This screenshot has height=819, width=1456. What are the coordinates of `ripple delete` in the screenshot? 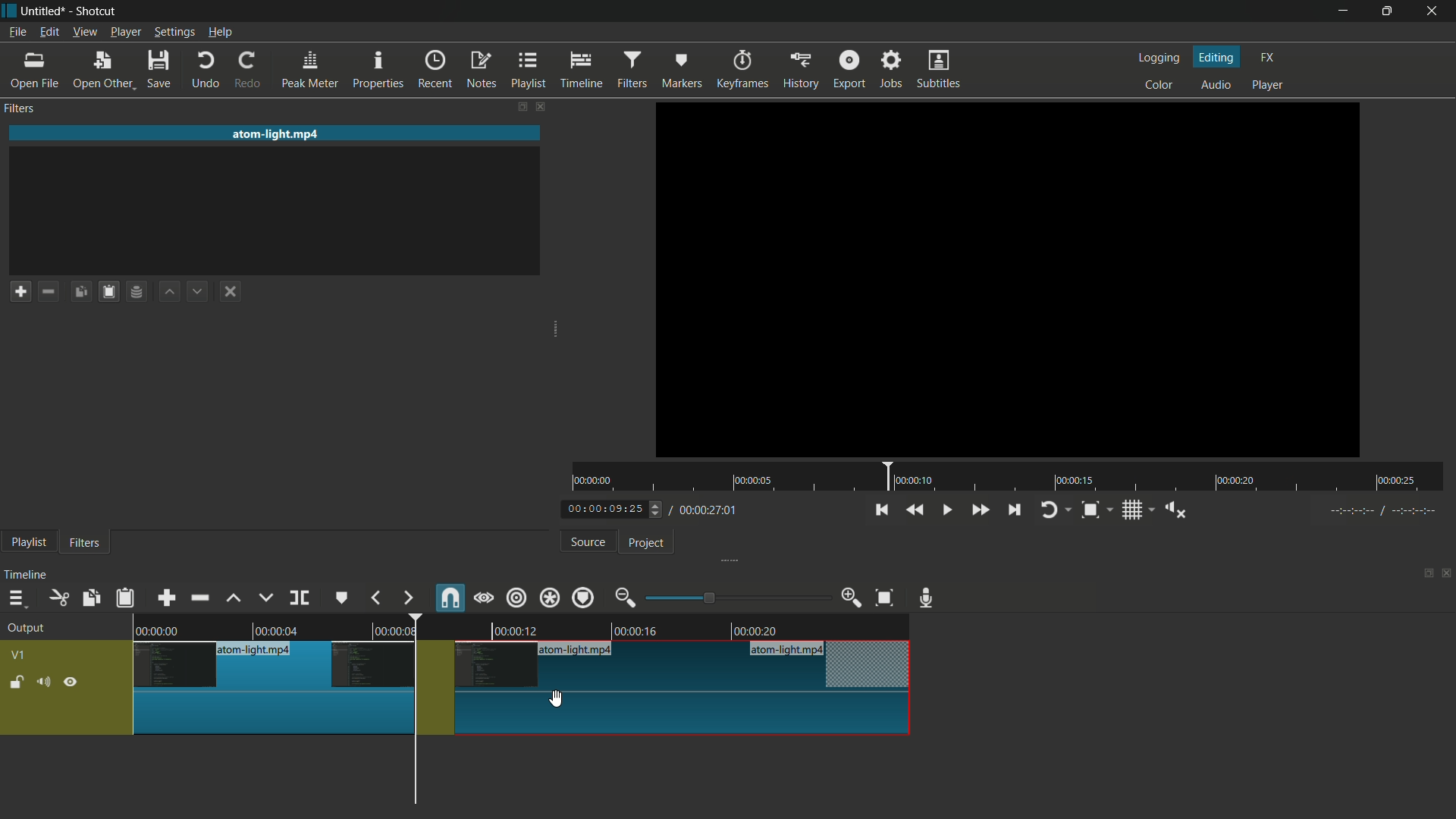 It's located at (199, 597).